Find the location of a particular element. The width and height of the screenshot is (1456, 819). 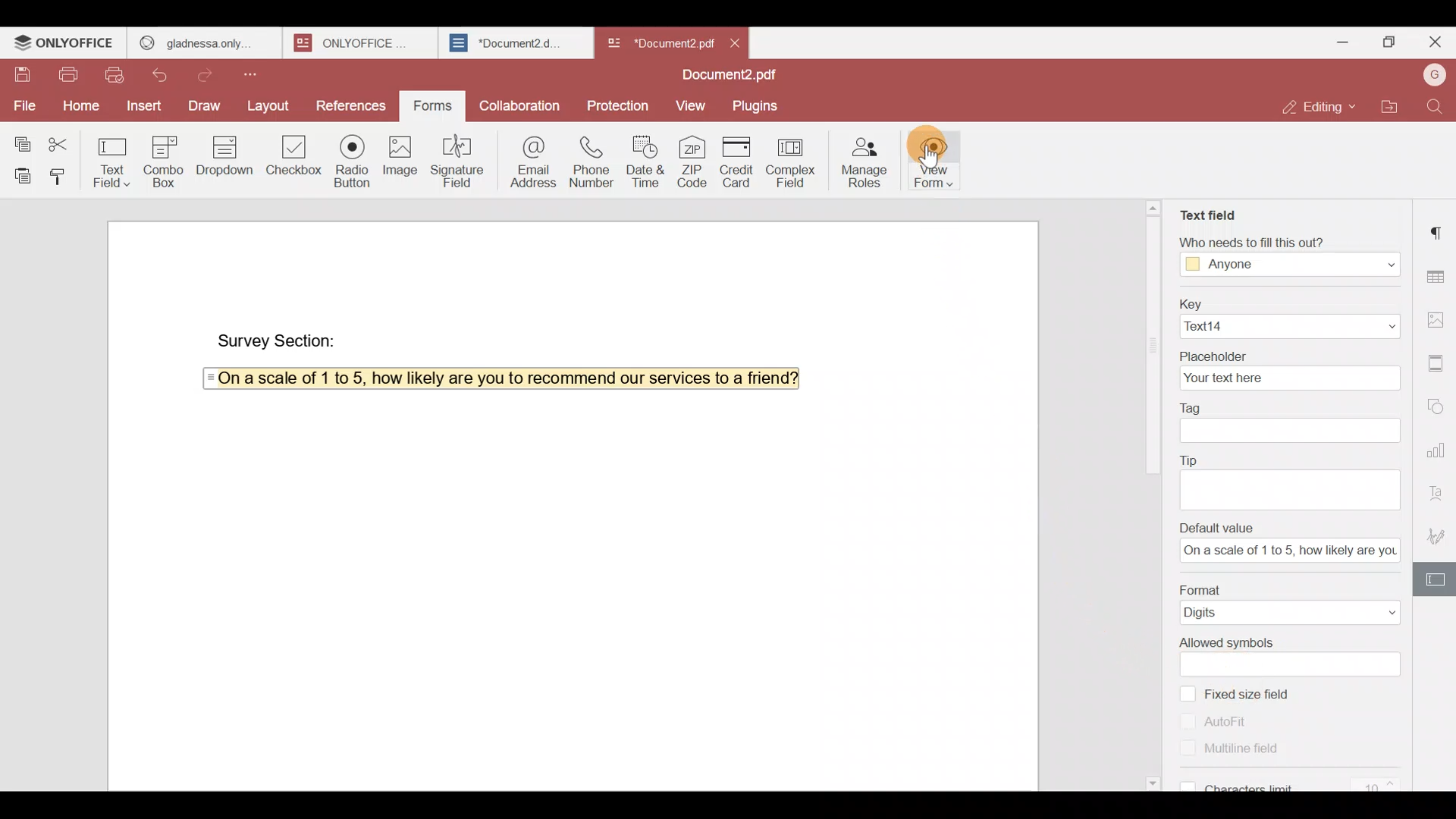

Copy style is located at coordinates (59, 173).